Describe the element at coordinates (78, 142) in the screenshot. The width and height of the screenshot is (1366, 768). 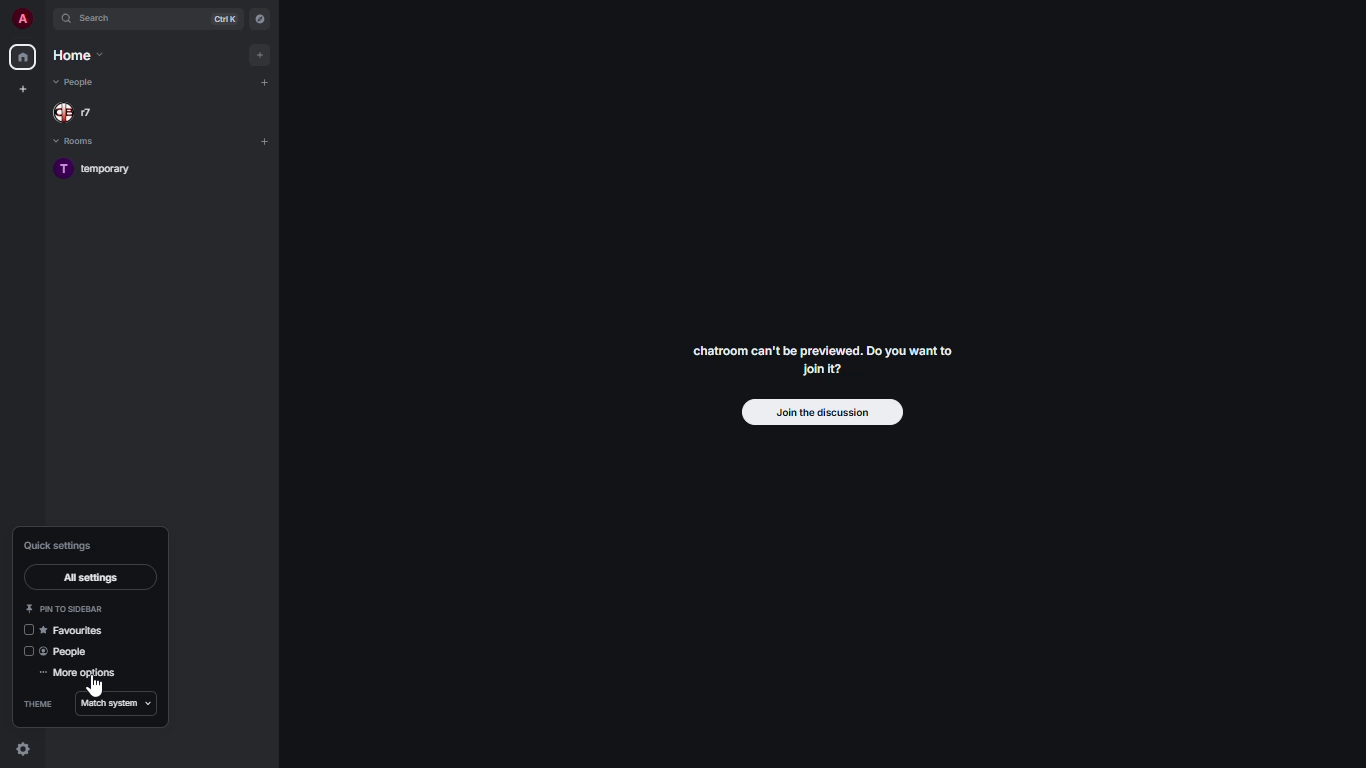
I see `rooms` at that location.